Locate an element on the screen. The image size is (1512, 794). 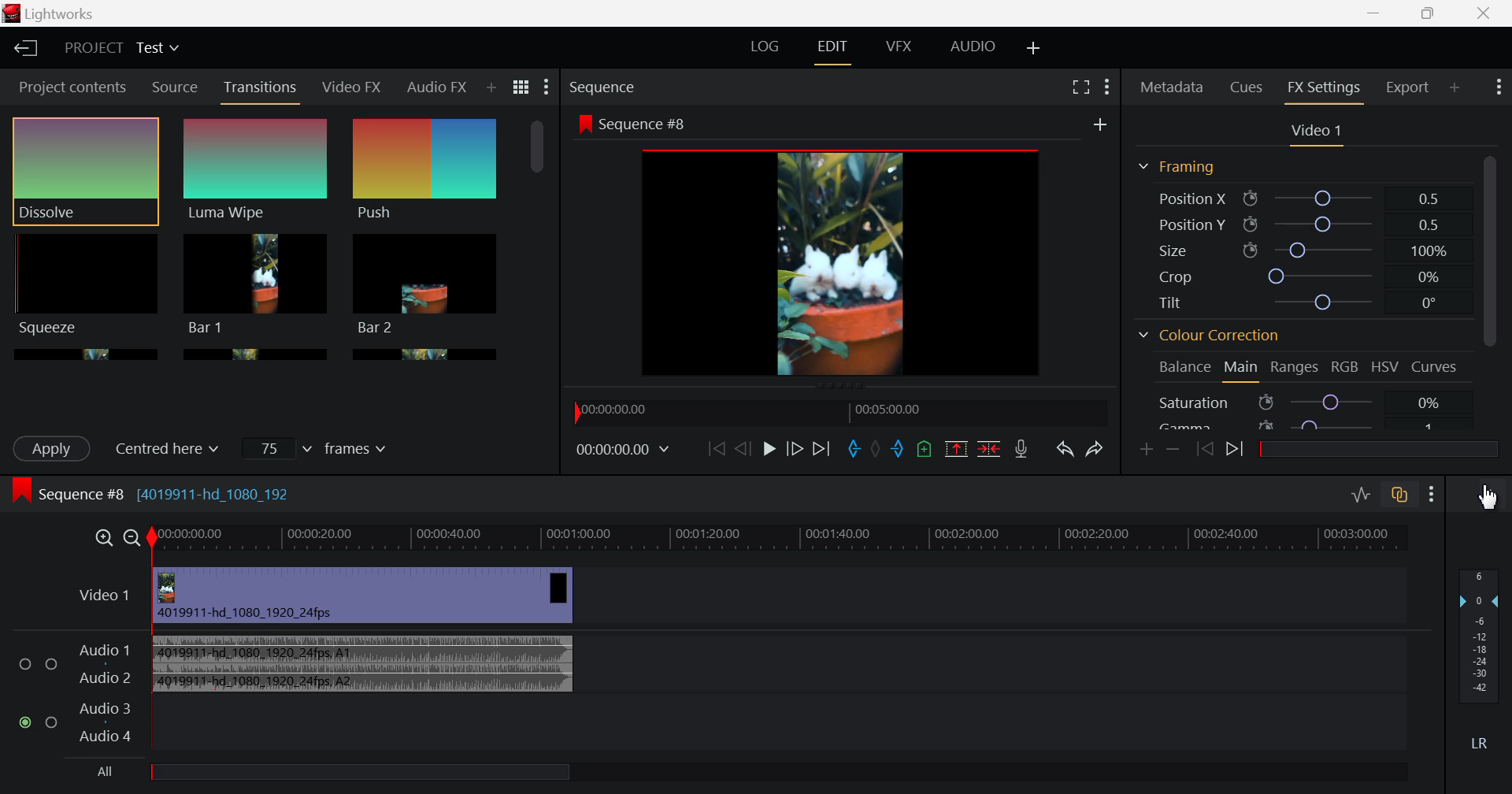
Toggle list and title view is located at coordinates (523, 88).